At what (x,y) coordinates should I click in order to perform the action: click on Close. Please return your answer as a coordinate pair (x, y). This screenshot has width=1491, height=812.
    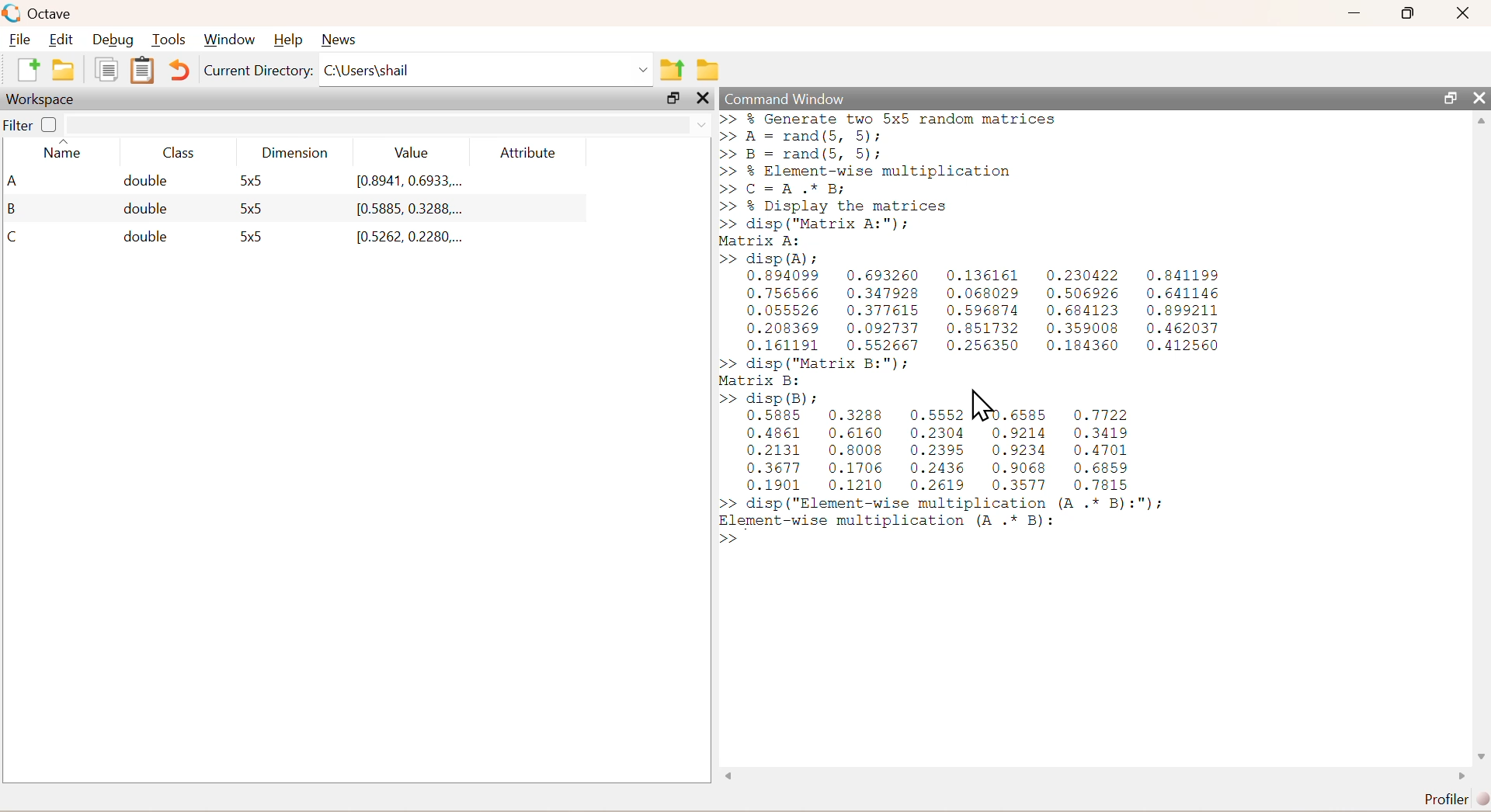
    Looking at the image, I should click on (703, 102).